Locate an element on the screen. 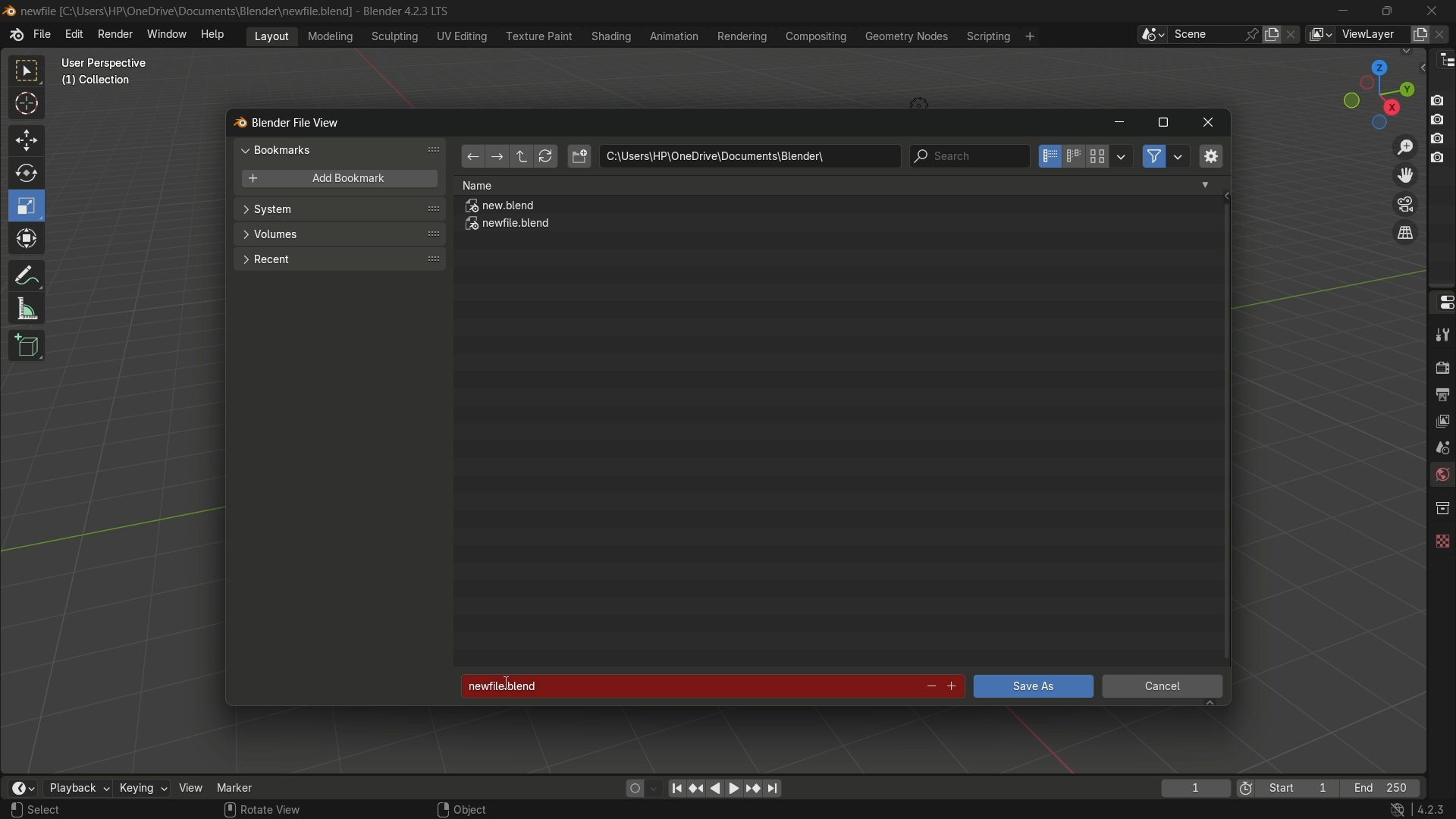 The width and height of the screenshot is (1456, 819). world is located at coordinates (1441, 476).